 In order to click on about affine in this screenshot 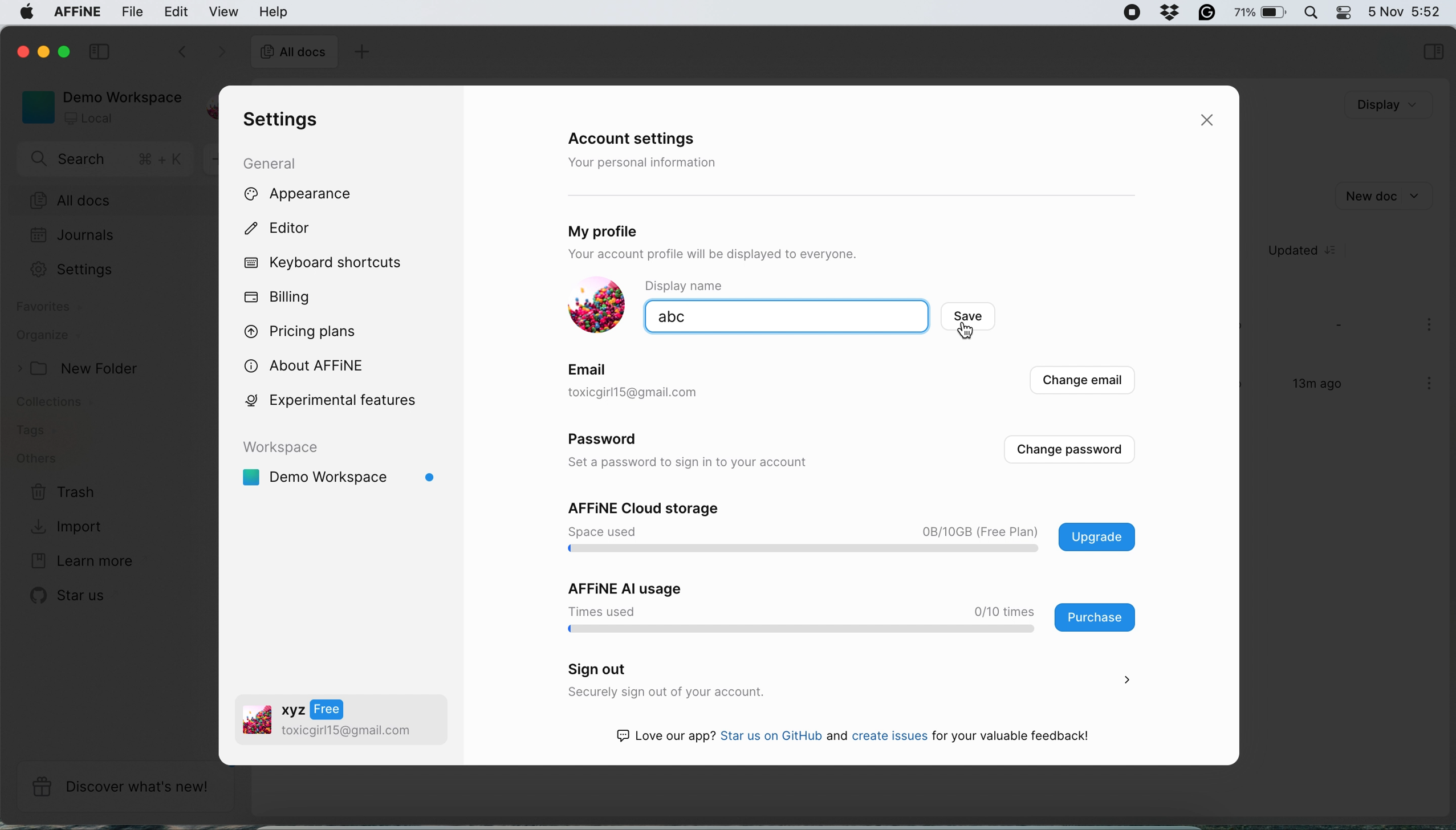, I will do `click(311, 364)`.